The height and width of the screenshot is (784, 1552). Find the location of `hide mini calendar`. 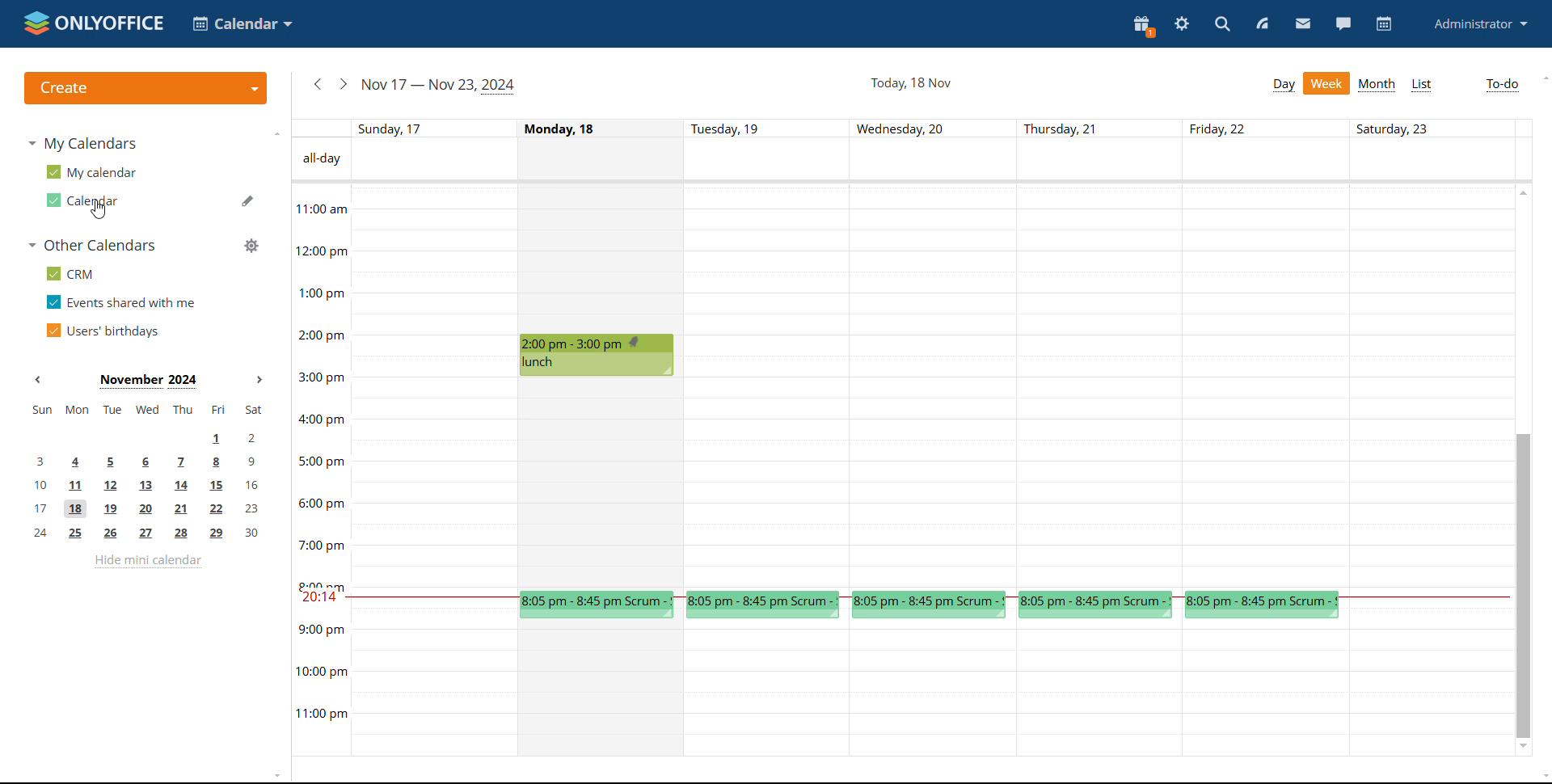

hide mini calendar is located at coordinates (147, 563).